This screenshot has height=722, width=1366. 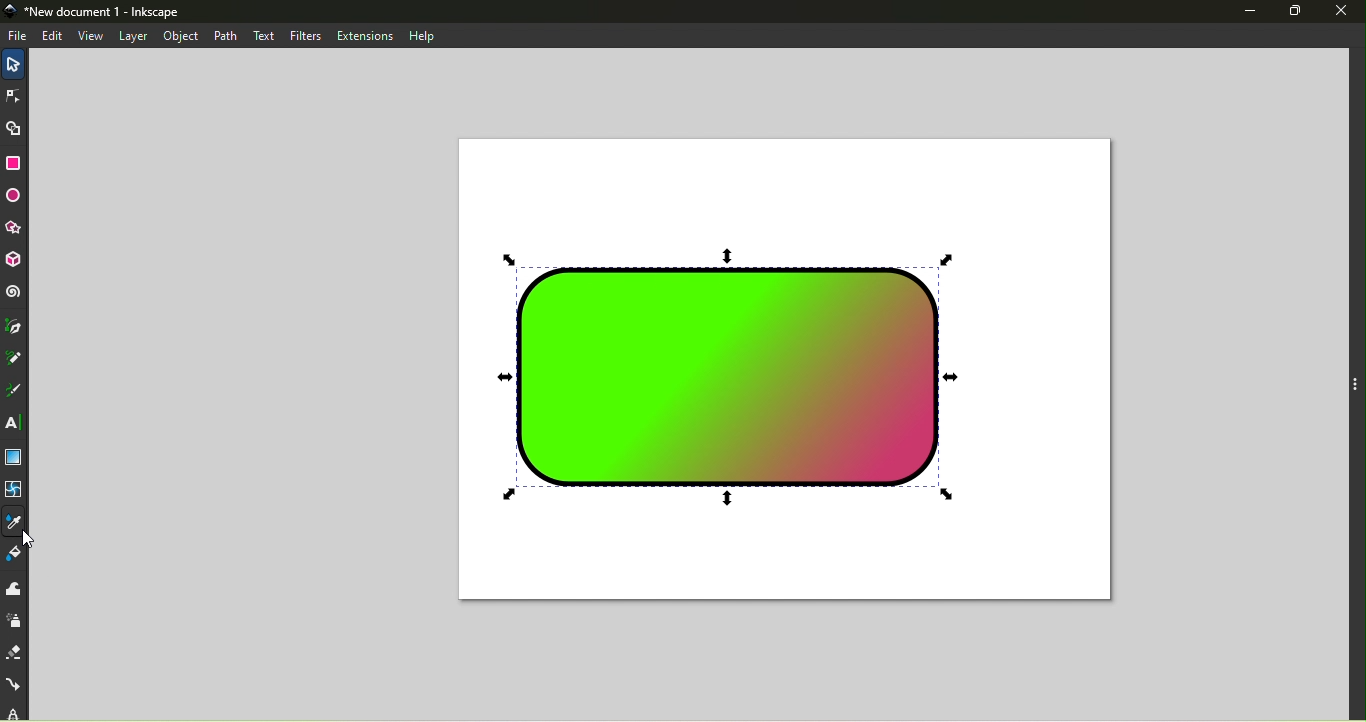 What do you see at coordinates (13, 458) in the screenshot?
I see `Gradient` at bounding box center [13, 458].